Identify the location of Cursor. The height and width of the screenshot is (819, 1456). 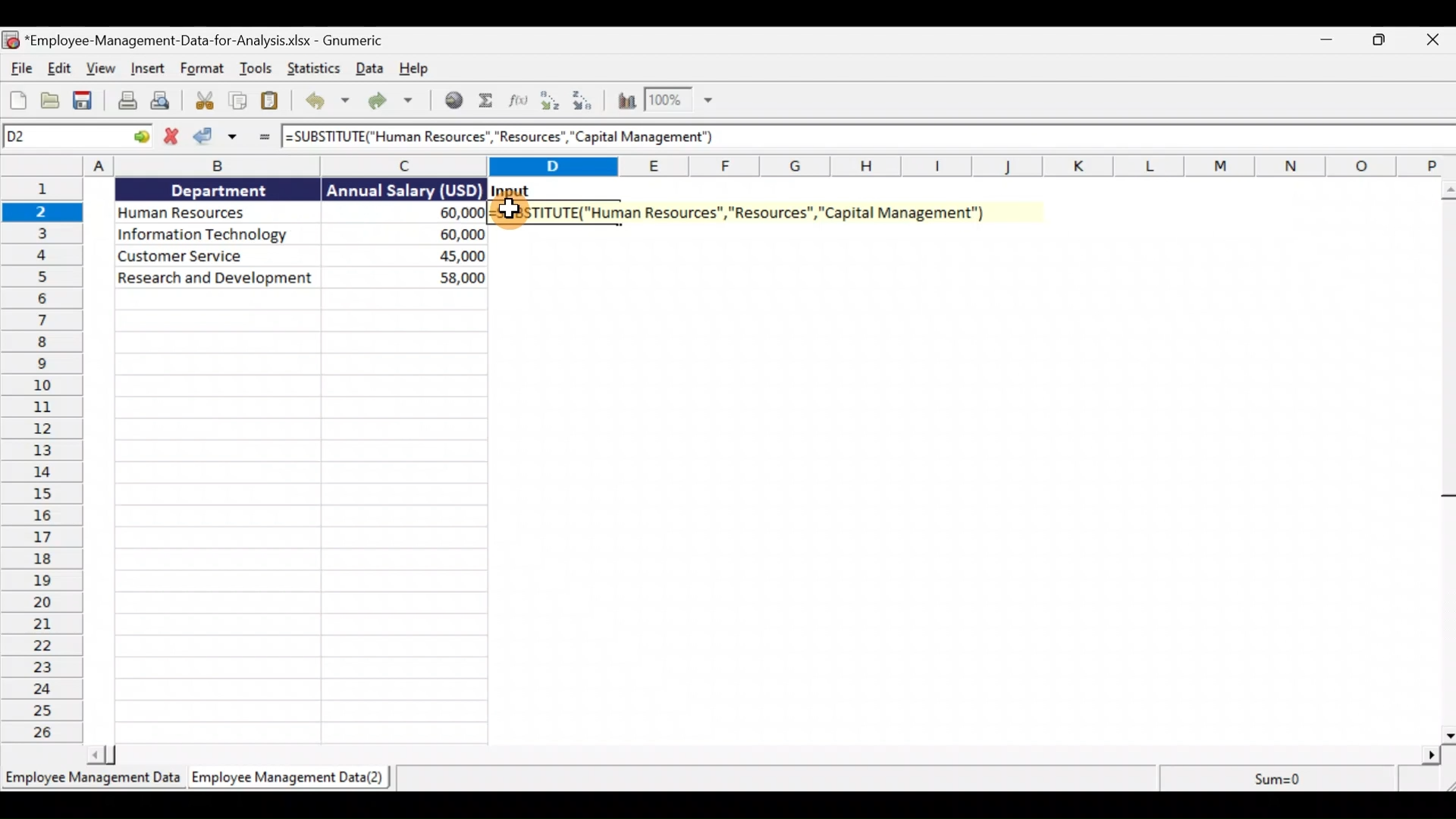
(509, 211).